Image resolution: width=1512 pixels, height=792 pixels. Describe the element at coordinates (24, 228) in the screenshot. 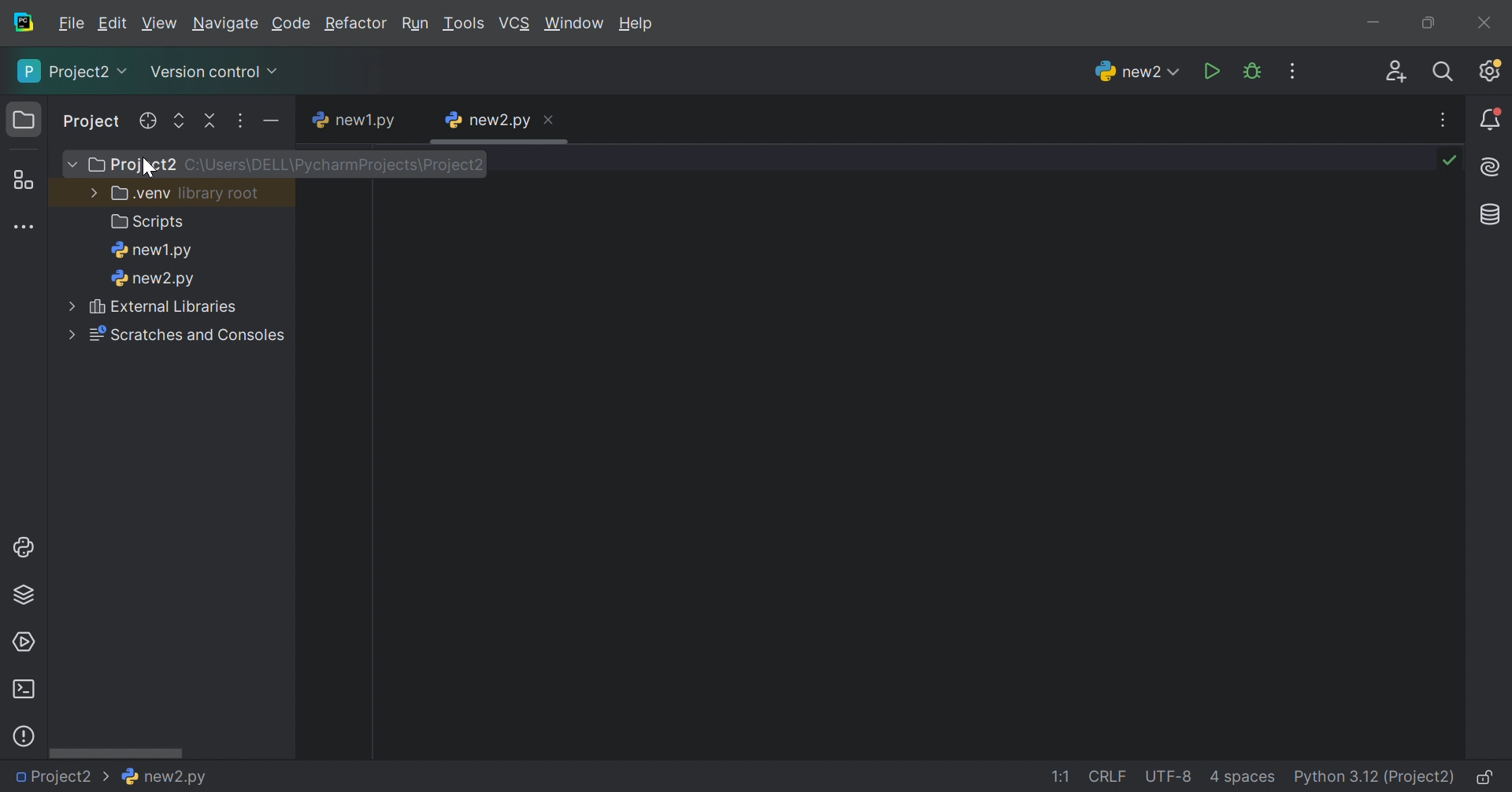

I see `More tool windows` at that location.